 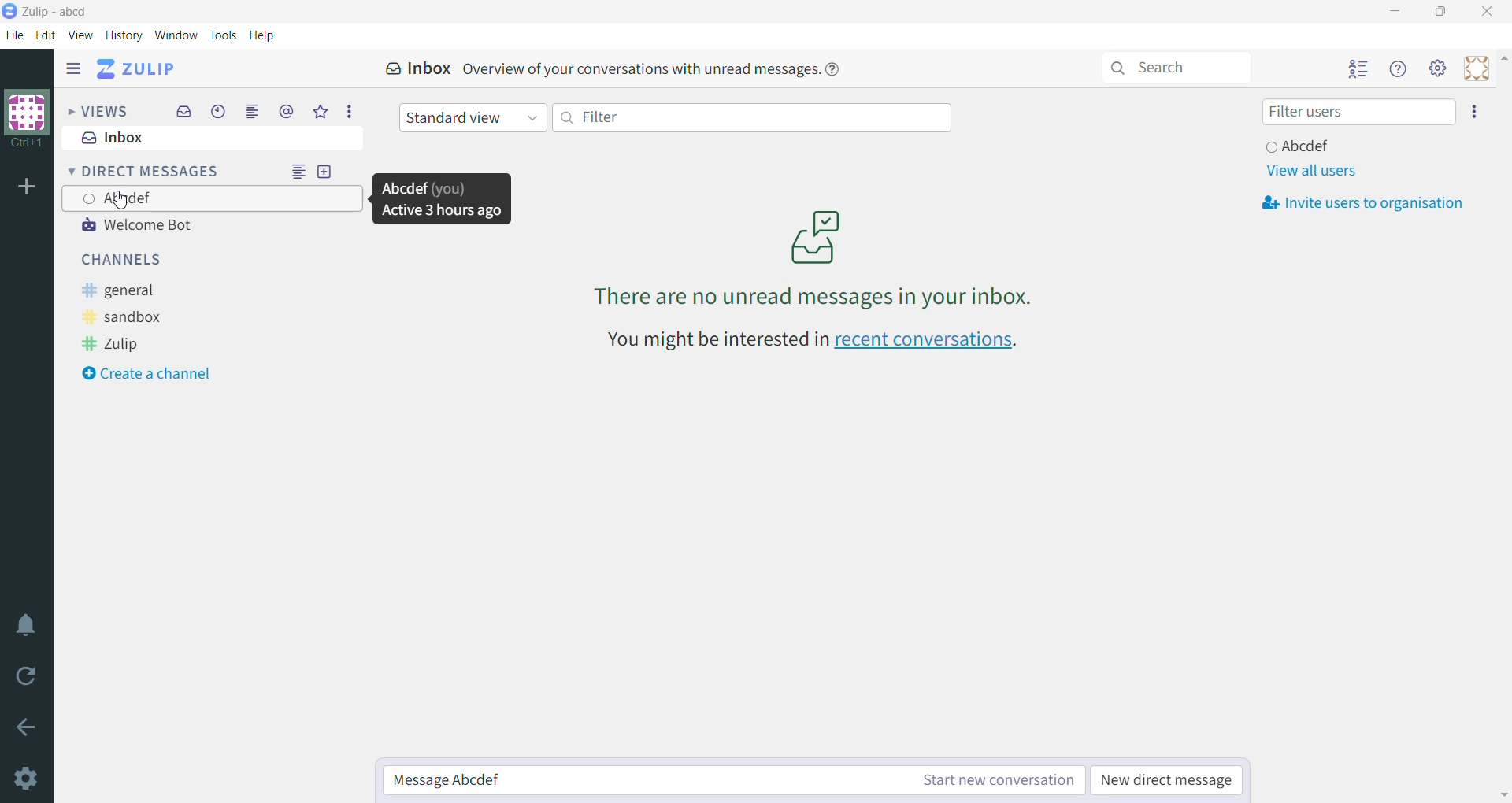 What do you see at coordinates (325, 170) in the screenshot?
I see `New Direct Message` at bounding box center [325, 170].